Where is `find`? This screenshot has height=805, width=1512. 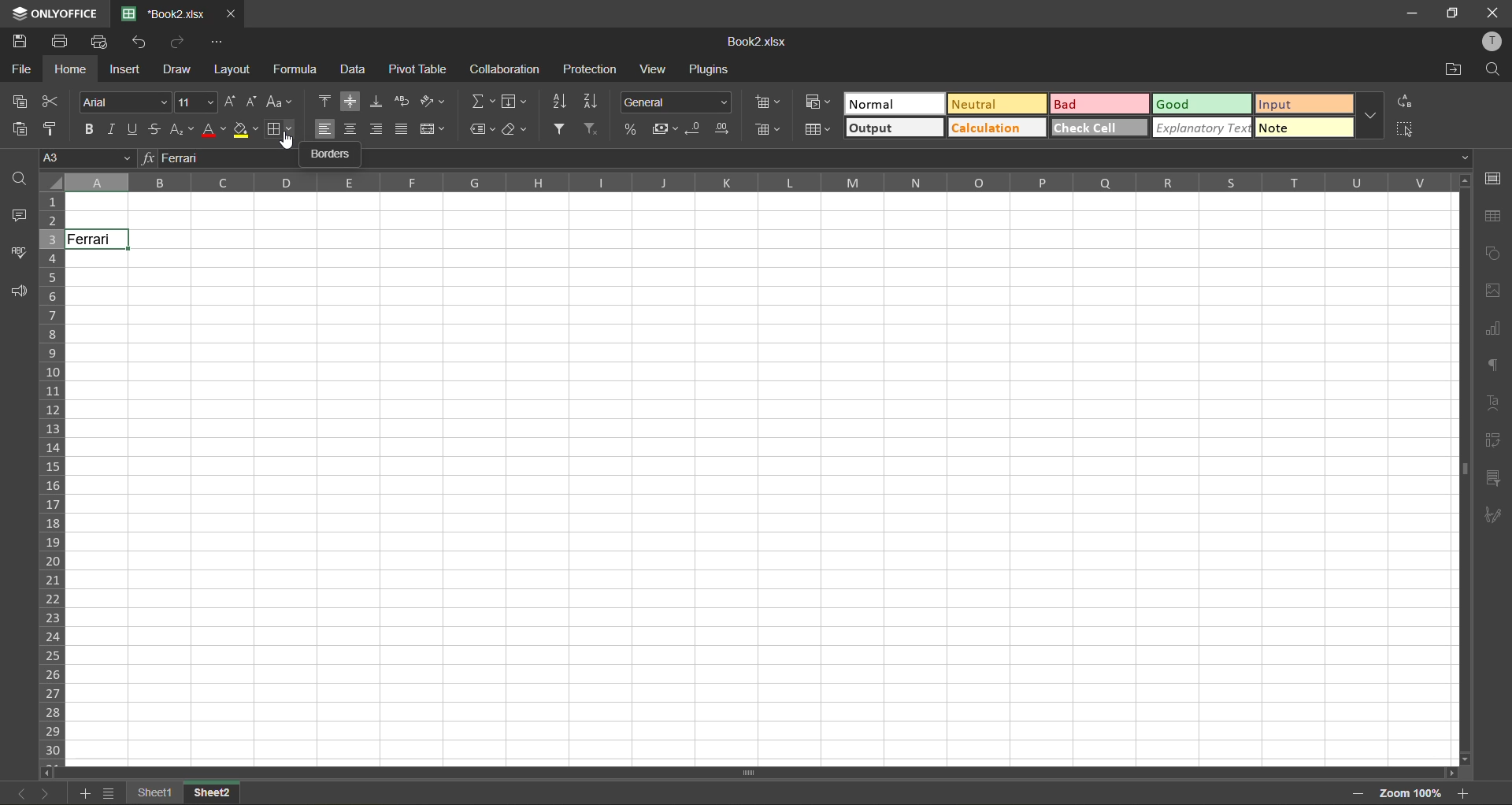
find is located at coordinates (18, 177).